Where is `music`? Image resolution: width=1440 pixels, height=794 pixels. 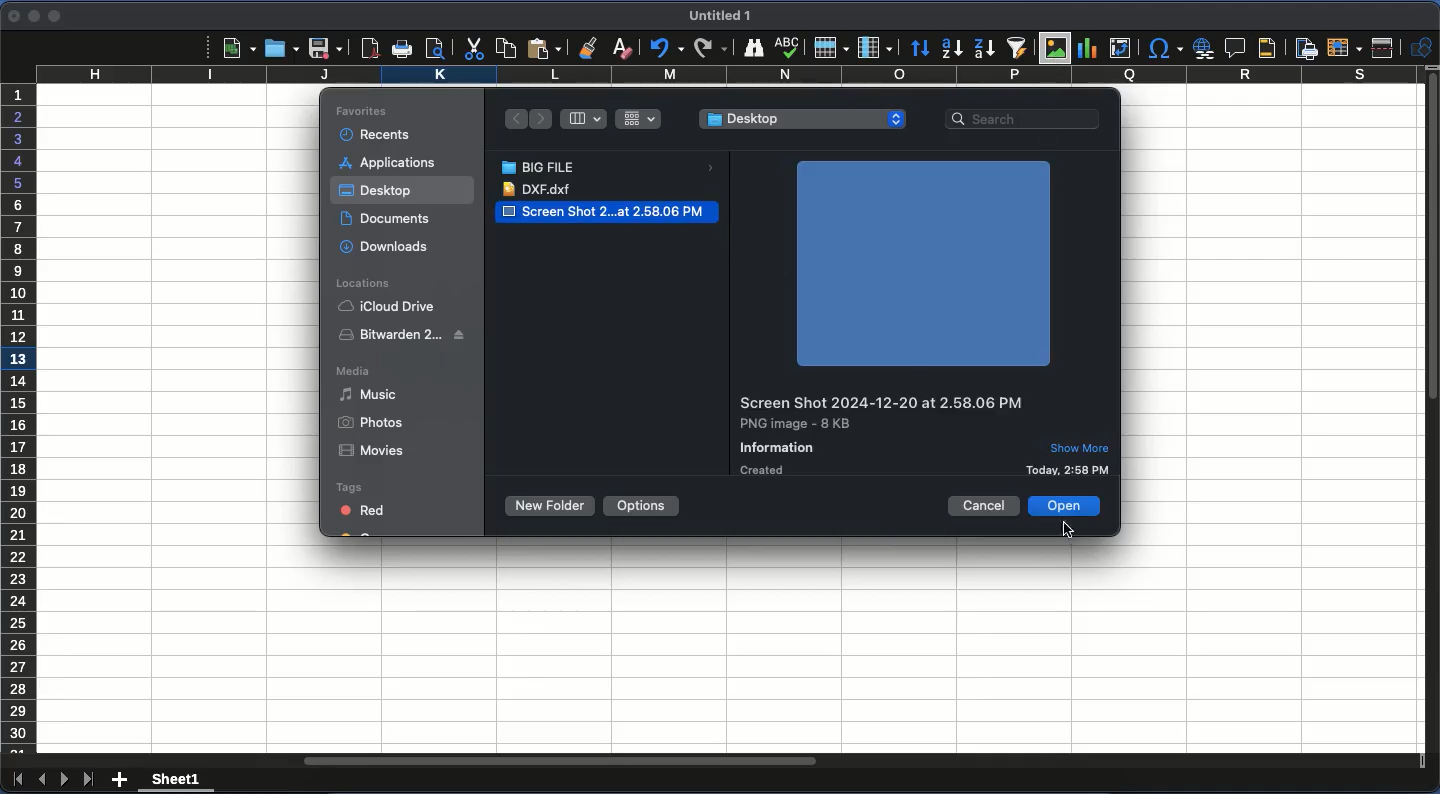
music is located at coordinates (367, 394).